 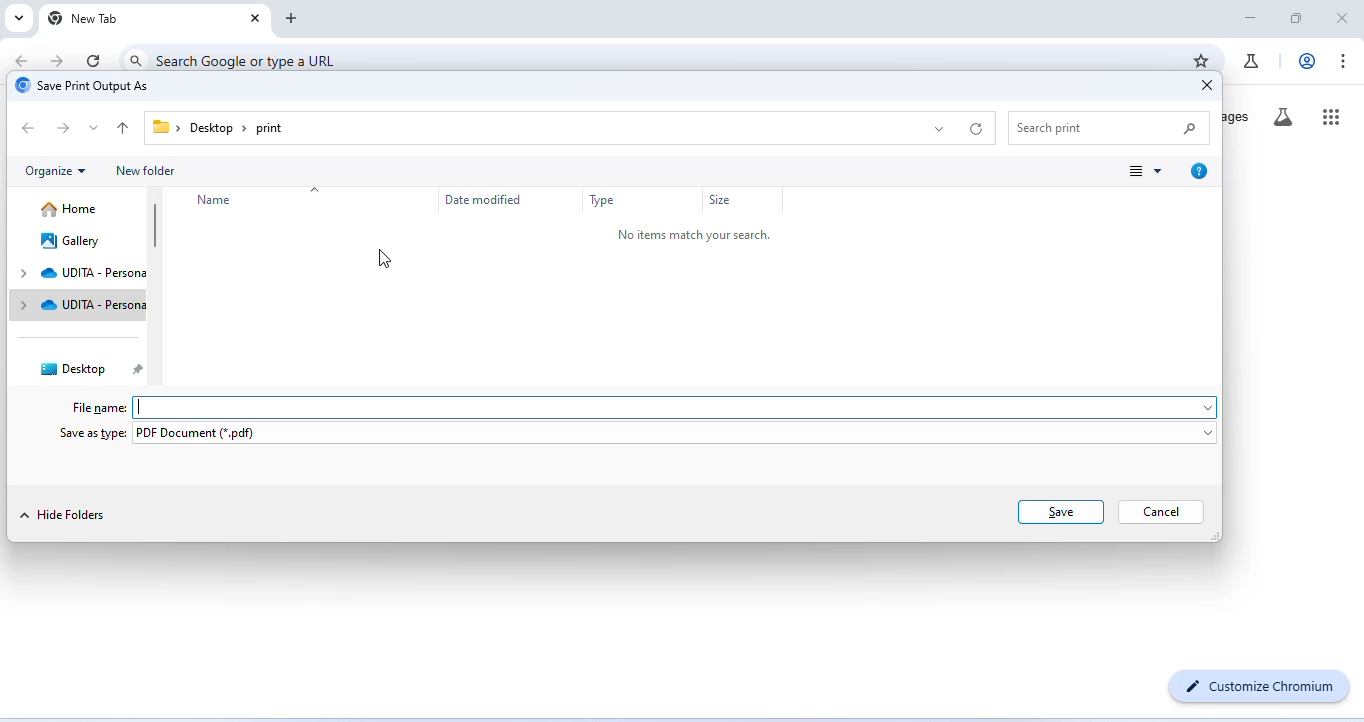 What do you see at coordinates (88, 369) in the screenshot?
I see `desktop` at bounding box center [88, 369].